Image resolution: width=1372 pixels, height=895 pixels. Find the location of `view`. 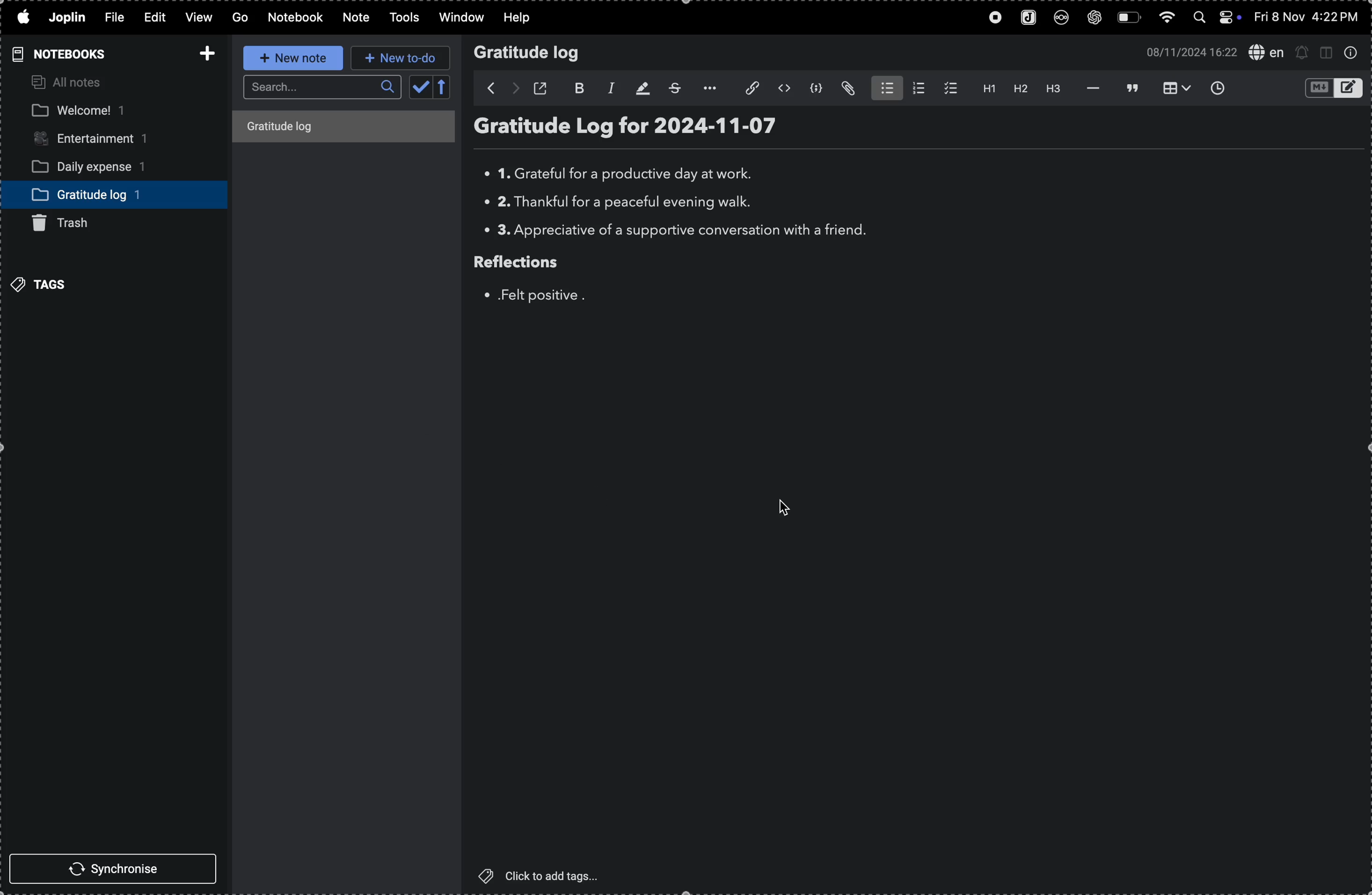

view is located at coordinates (198, 18).